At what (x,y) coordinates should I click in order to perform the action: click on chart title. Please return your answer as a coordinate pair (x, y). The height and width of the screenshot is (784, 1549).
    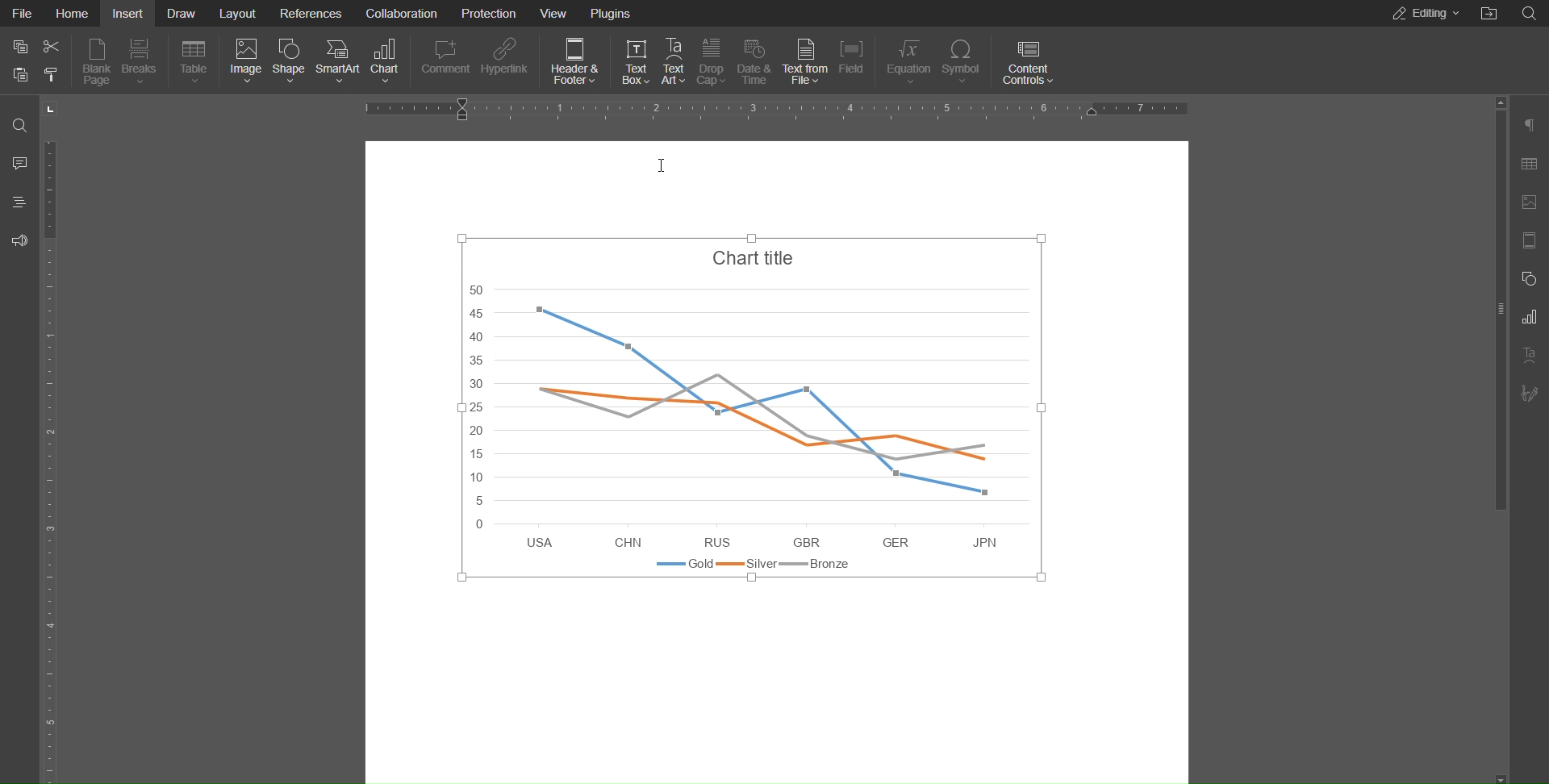
    Looking at the image, I should click on (747, 411).